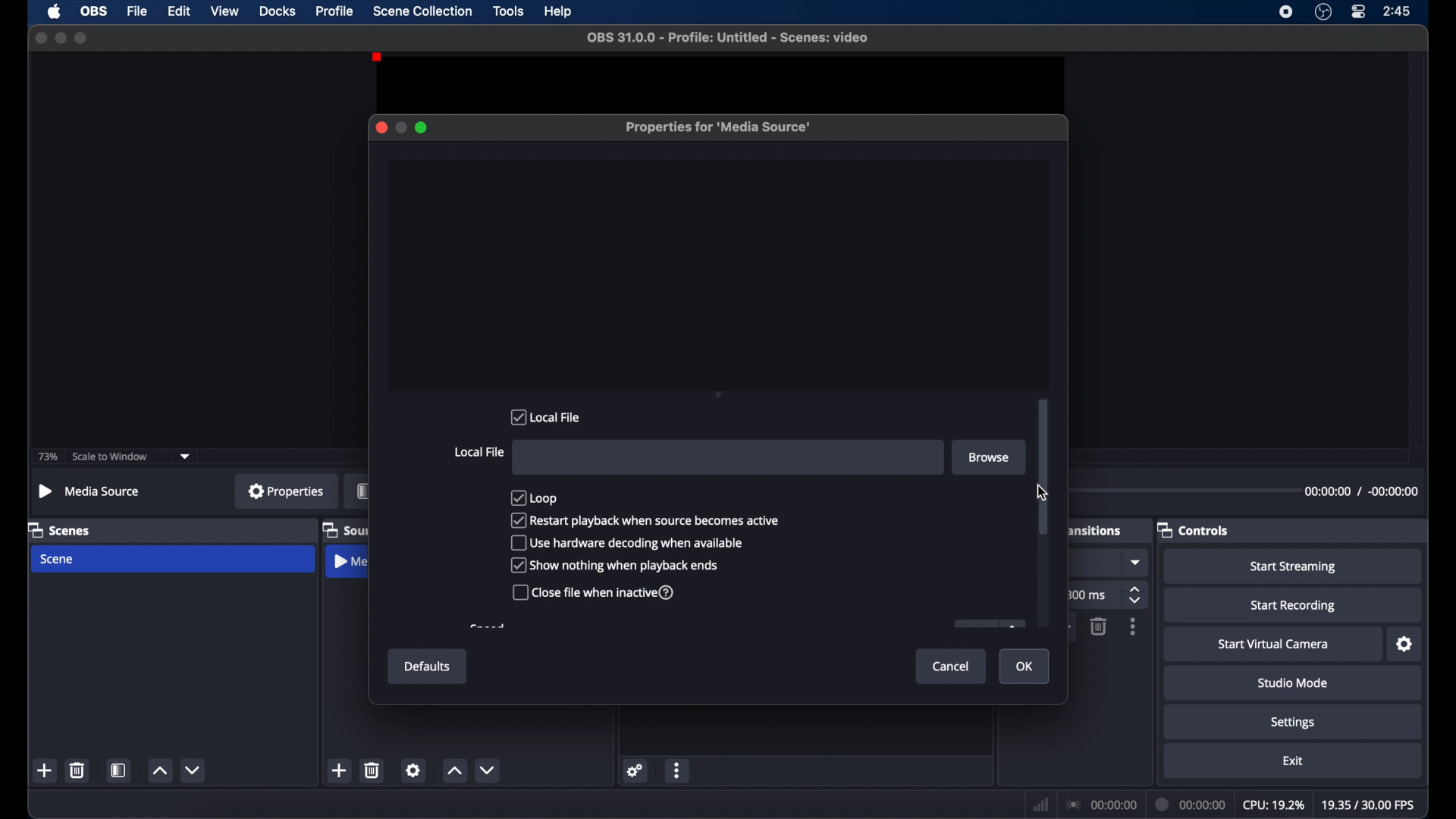  What do you see at coordinates (677, 771) in the screenshot?
I see `moreoptions` at bounding box center [677, 771].